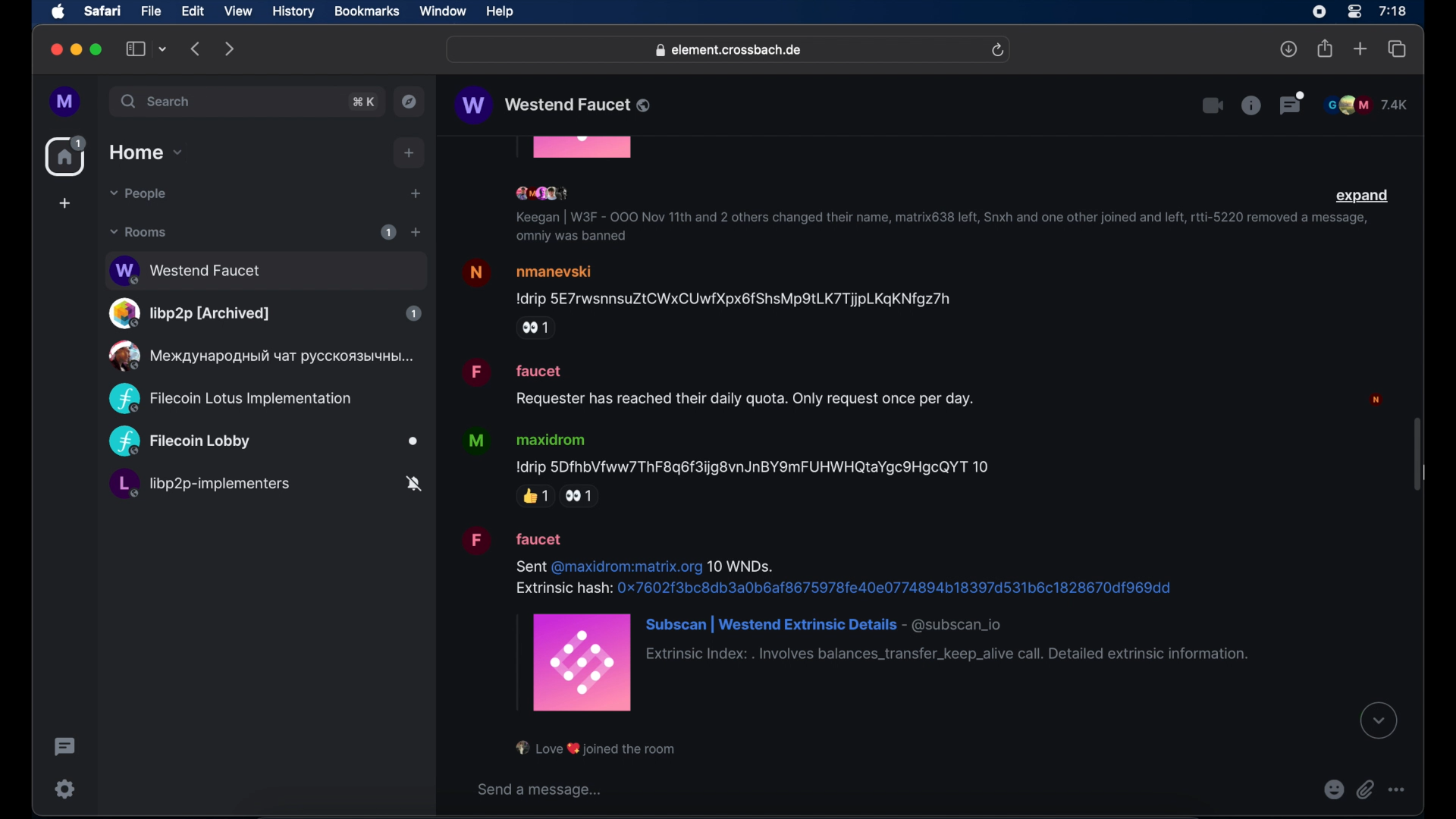  What do you see at coordinates (1319, 12) in the screenshot?
I see `screen recorder icon` at bounding box center [1319, 12].